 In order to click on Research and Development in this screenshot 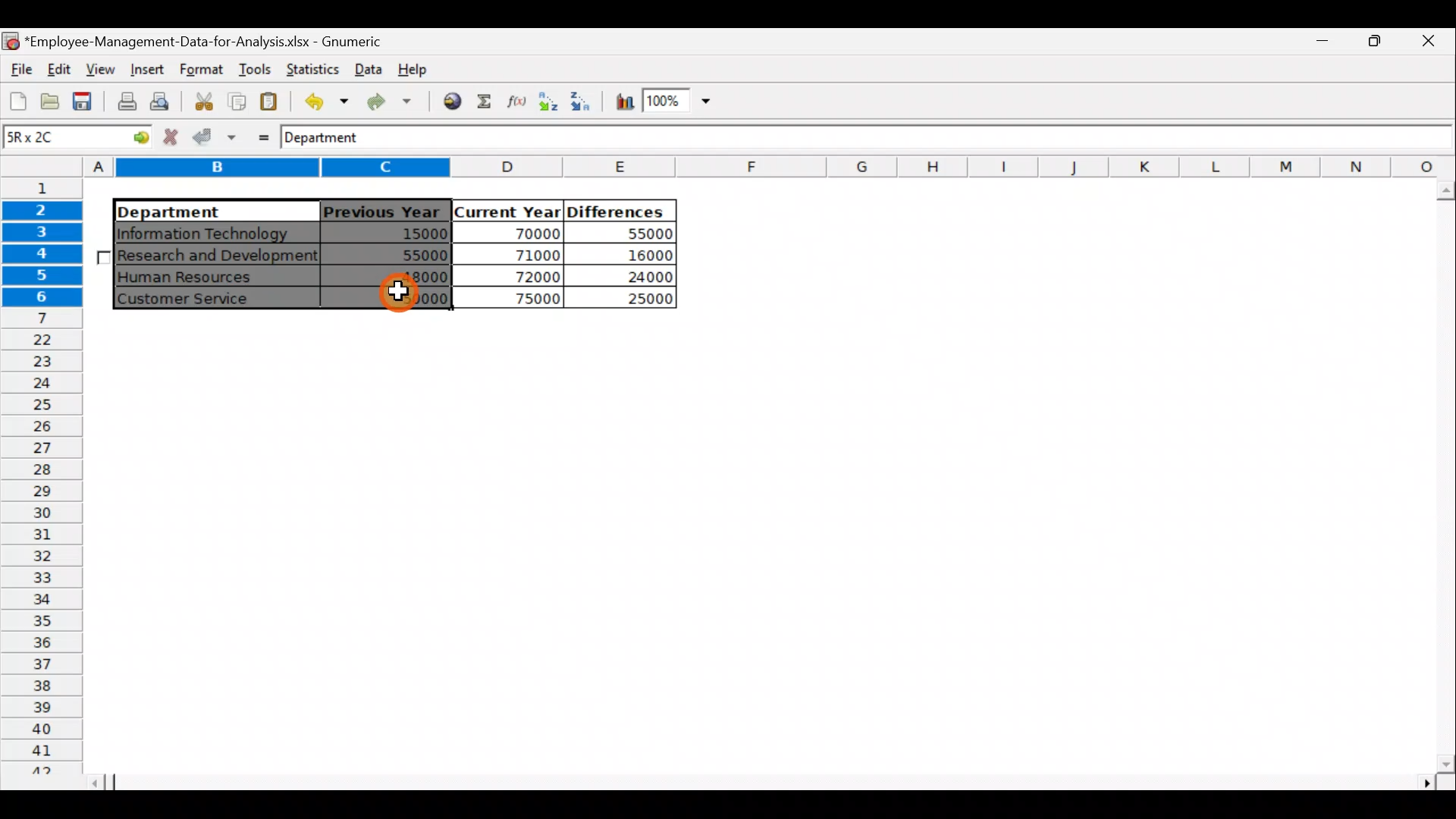, I will do `click(218, 257)`.